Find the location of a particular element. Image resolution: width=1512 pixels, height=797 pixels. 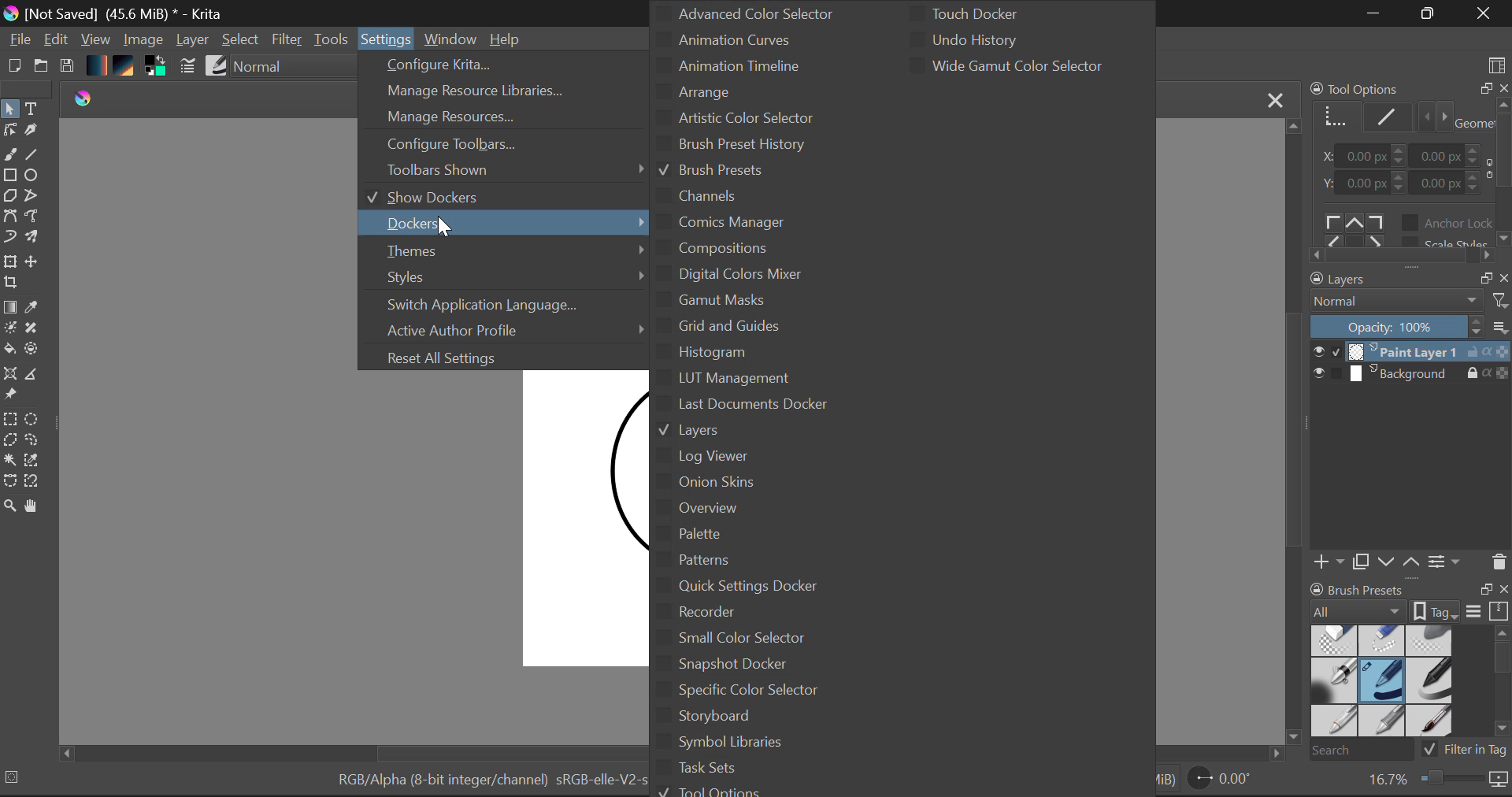

Symbol Libraries is located at coordinates (764, 745).